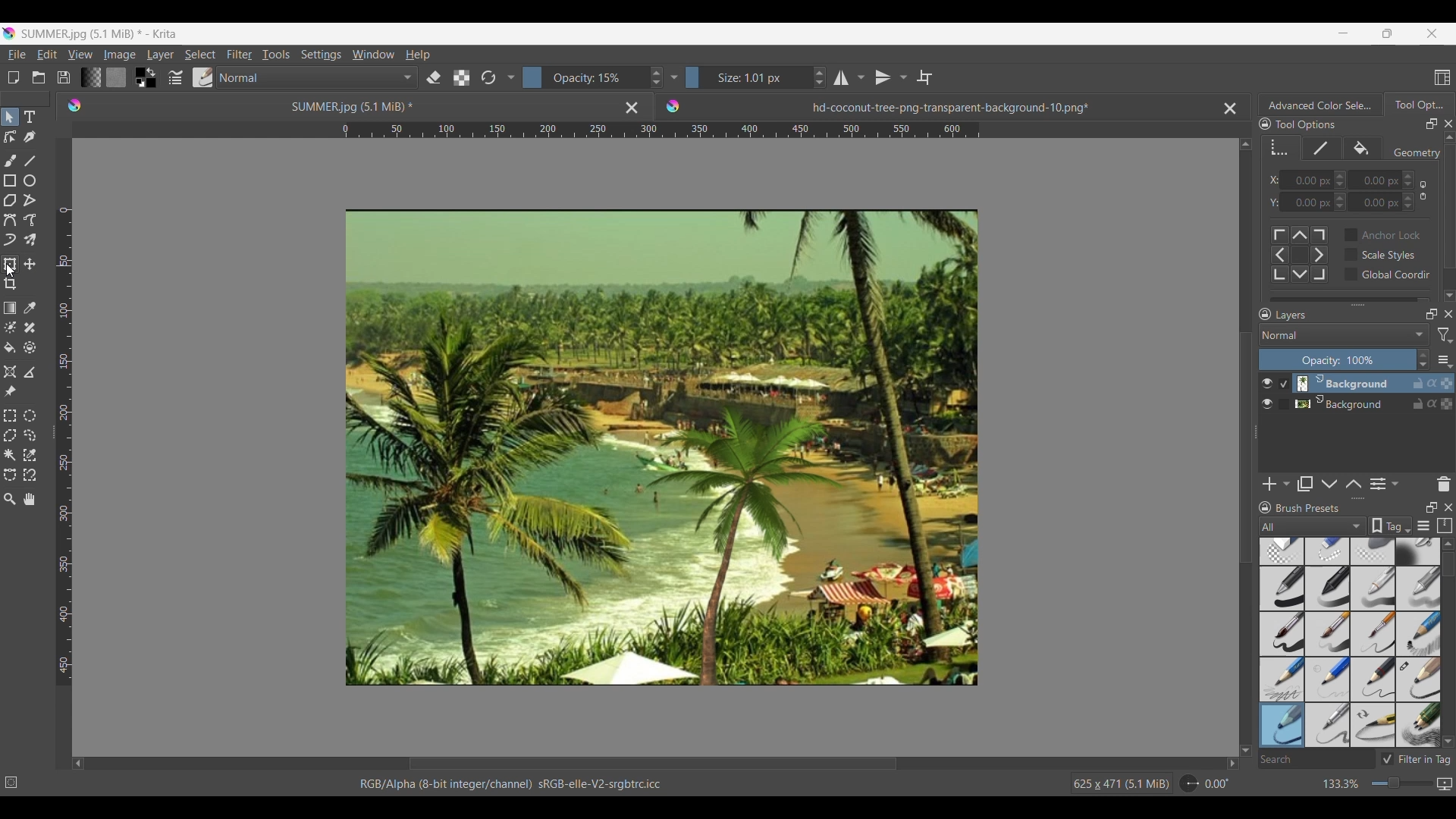  Describe the element at coordinates (1444, 526) in the screenshot. I see `Storage resources` at that location.